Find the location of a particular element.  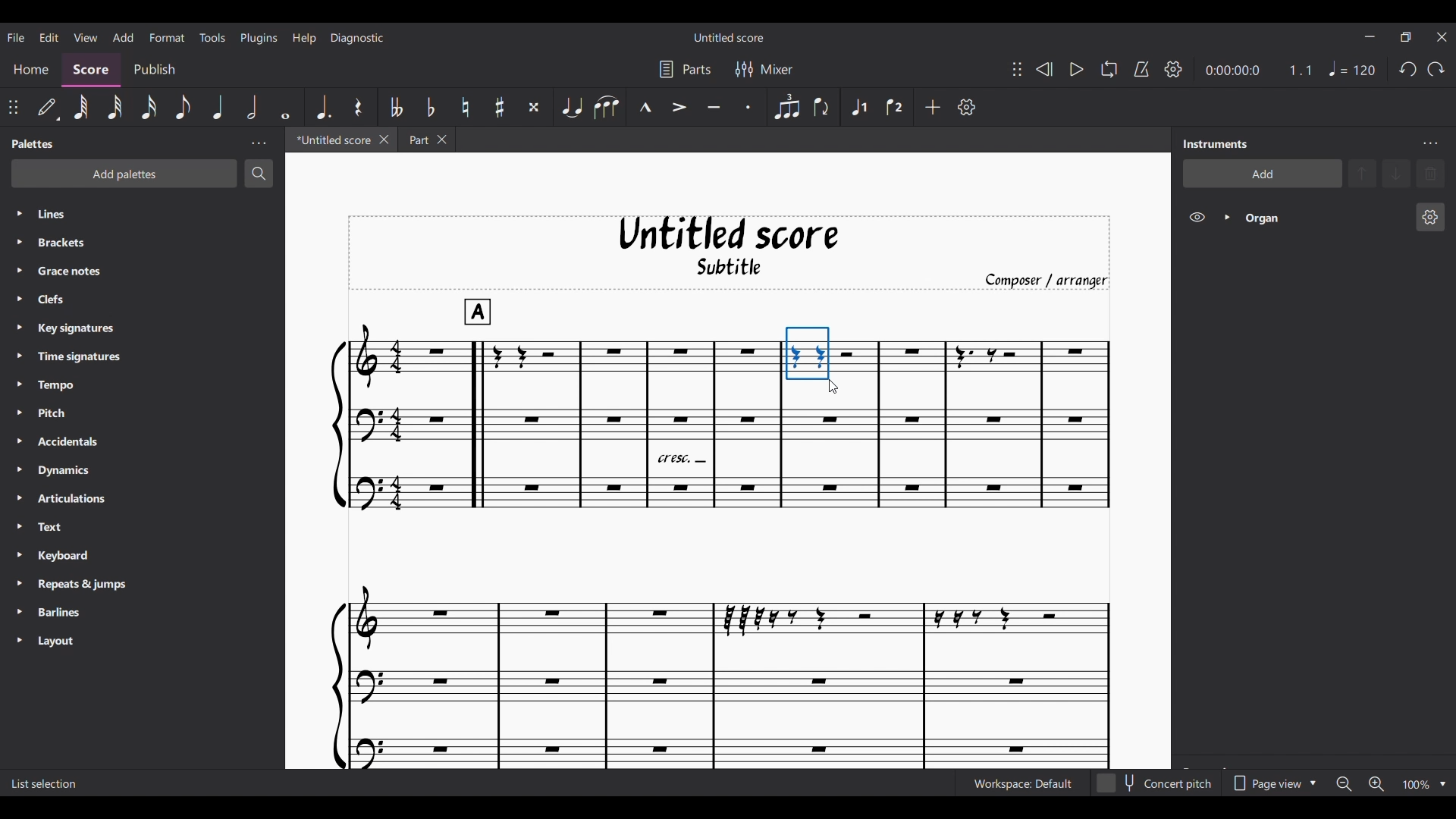

Cursor position unchanged is located at coordinates (833, 386).